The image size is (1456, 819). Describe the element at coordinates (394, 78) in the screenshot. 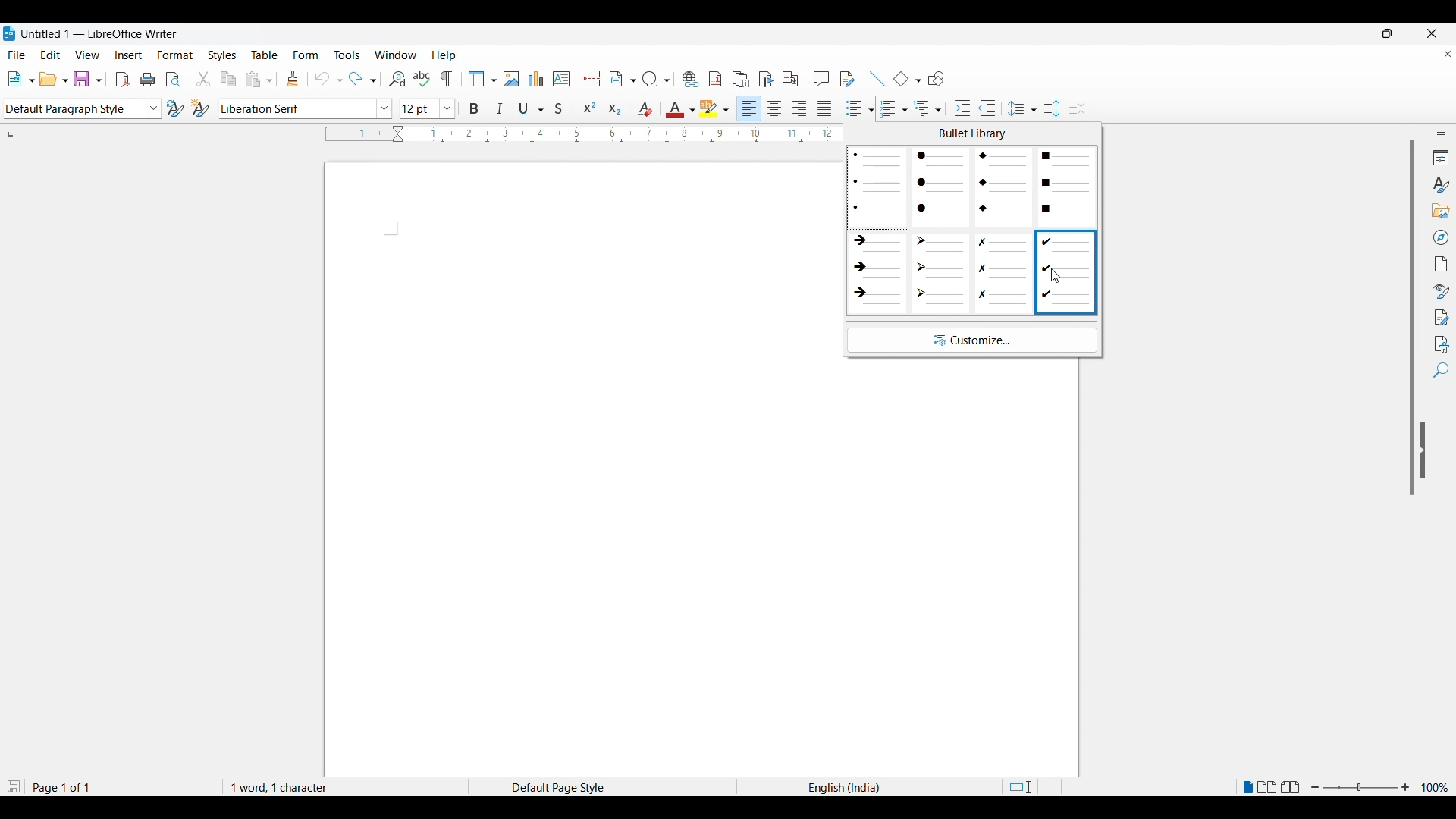

I see `find and replace` at that location.